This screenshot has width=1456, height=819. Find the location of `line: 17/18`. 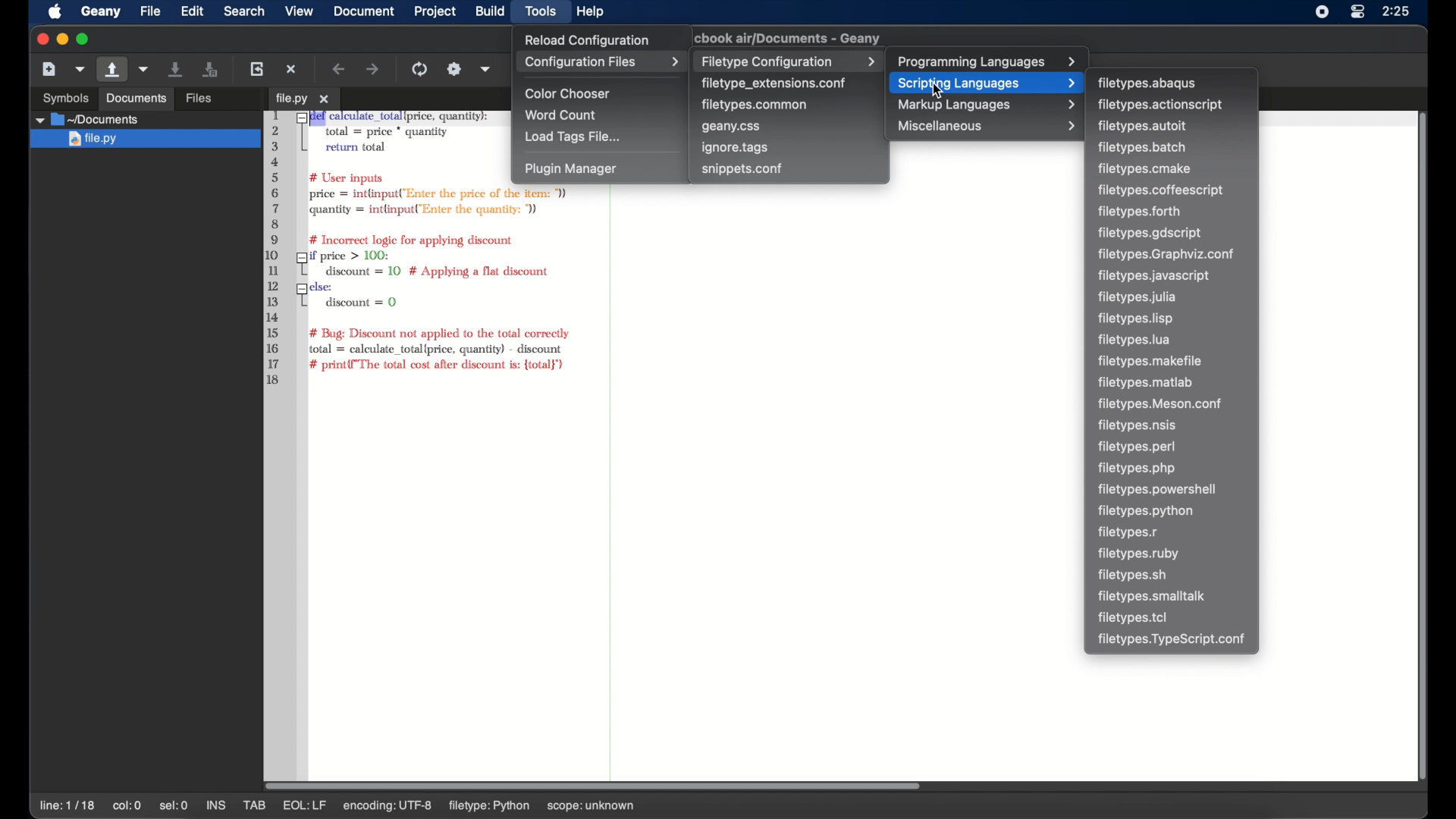

line: 17/18 is located at coordinates (69, 806).